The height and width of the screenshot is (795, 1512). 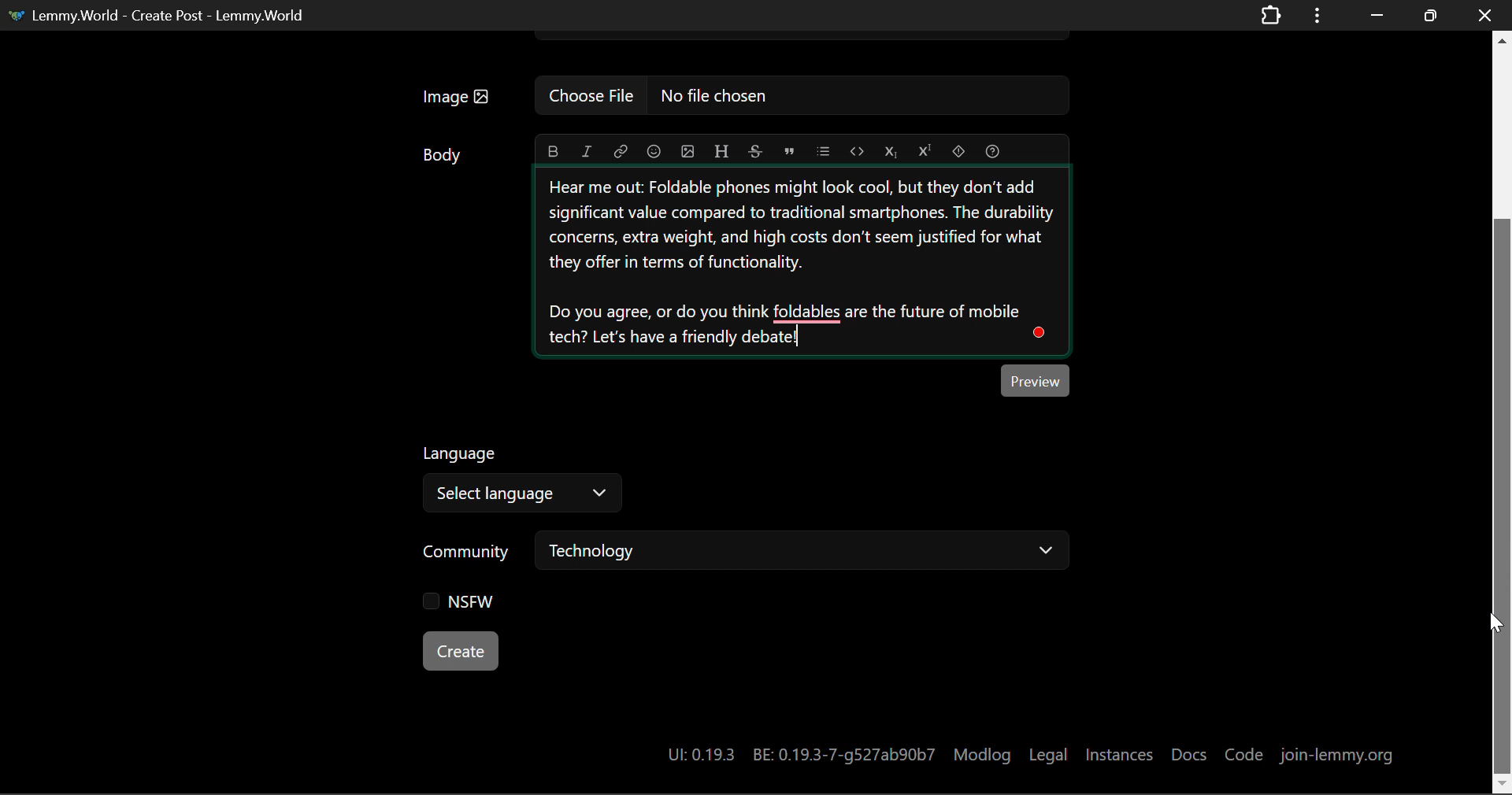 What do you see at coordinates (621, 150) in the screenshot?
I see `link` at bounding box center [621, 150].